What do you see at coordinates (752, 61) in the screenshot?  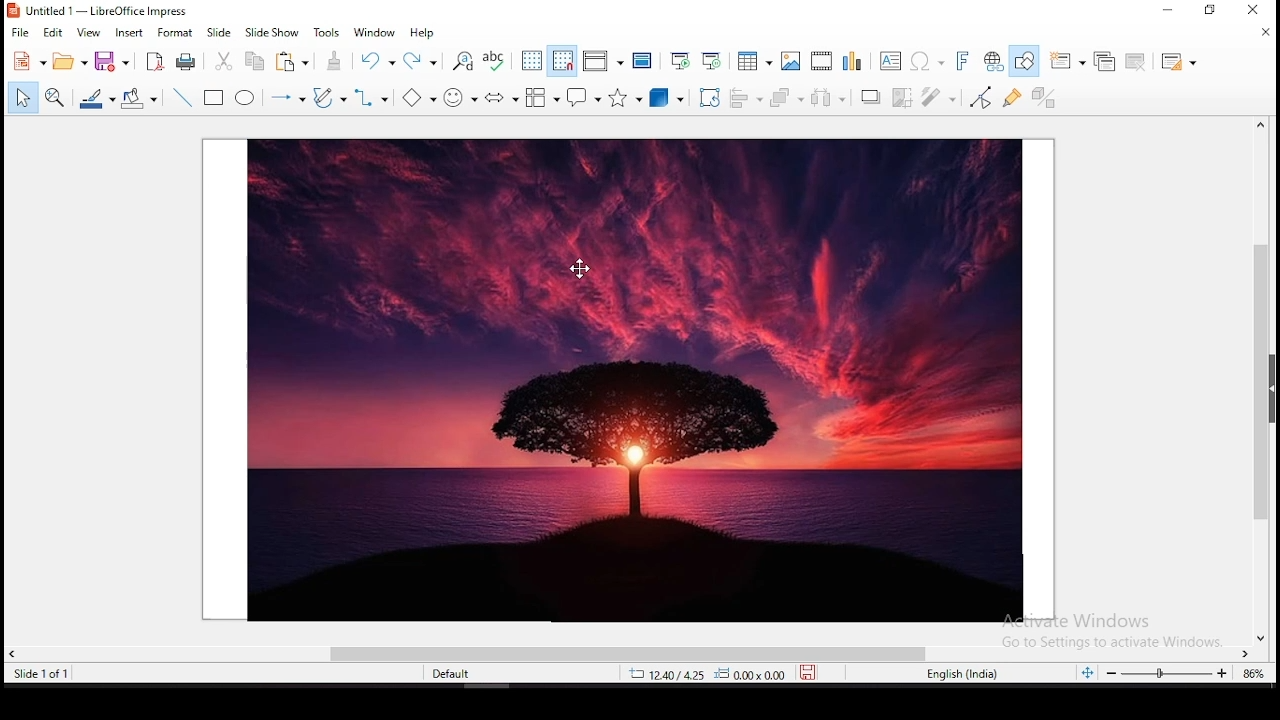 I see `tables` at bounding box center [752, 61].